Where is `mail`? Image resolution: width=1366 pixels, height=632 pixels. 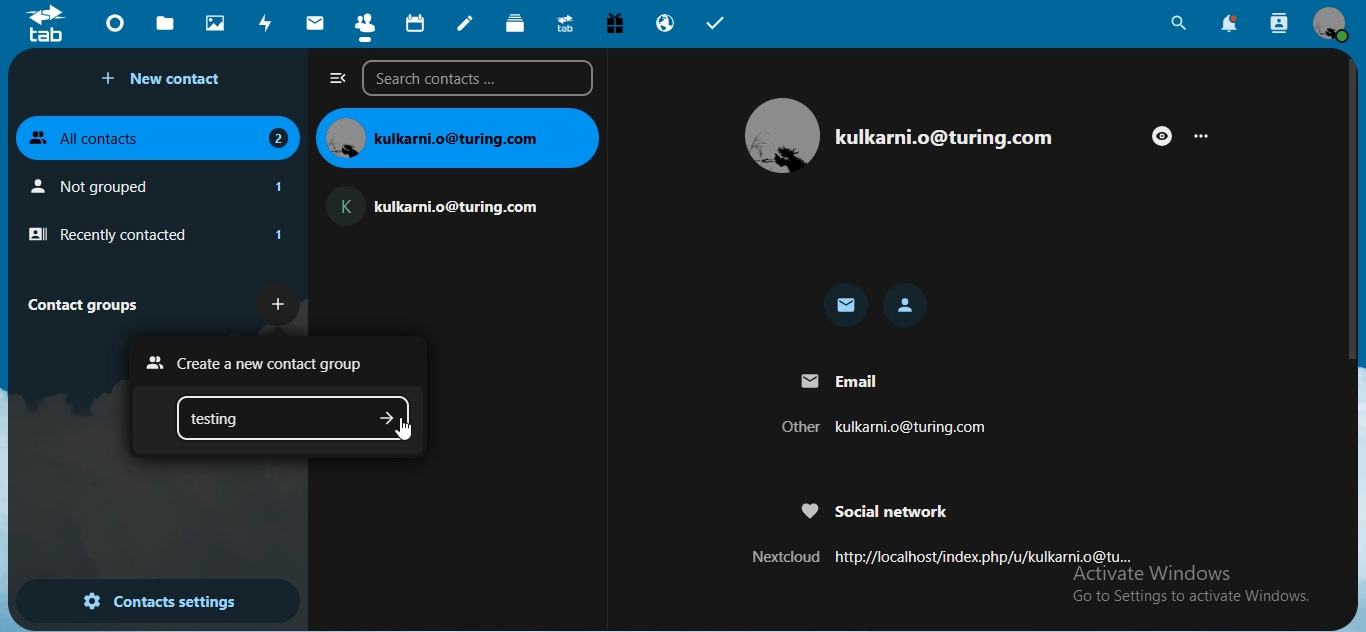
mail is located at coordinates (317, 23).